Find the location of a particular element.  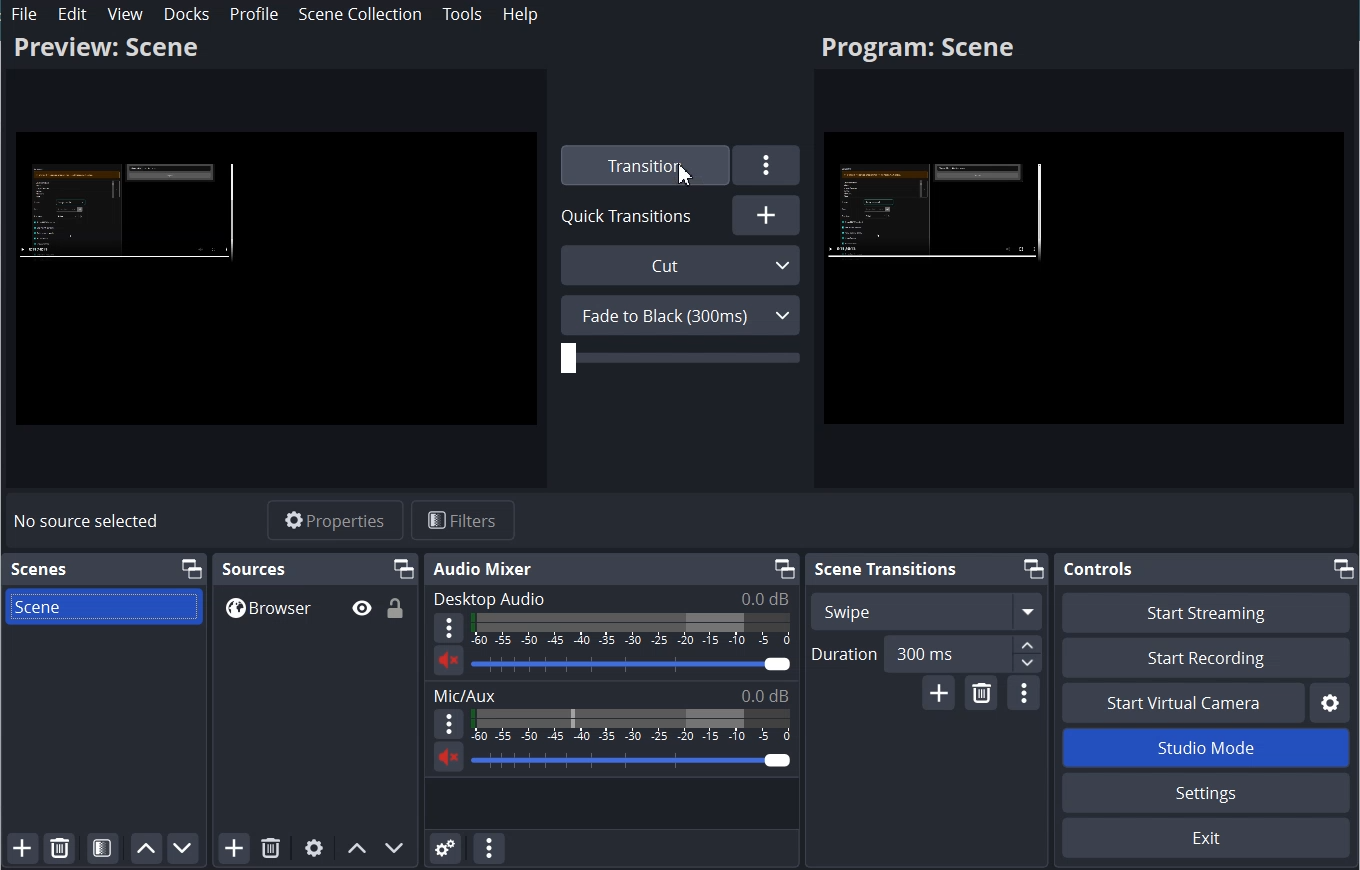

Sound Indicator is located at coordinates (631, 725).